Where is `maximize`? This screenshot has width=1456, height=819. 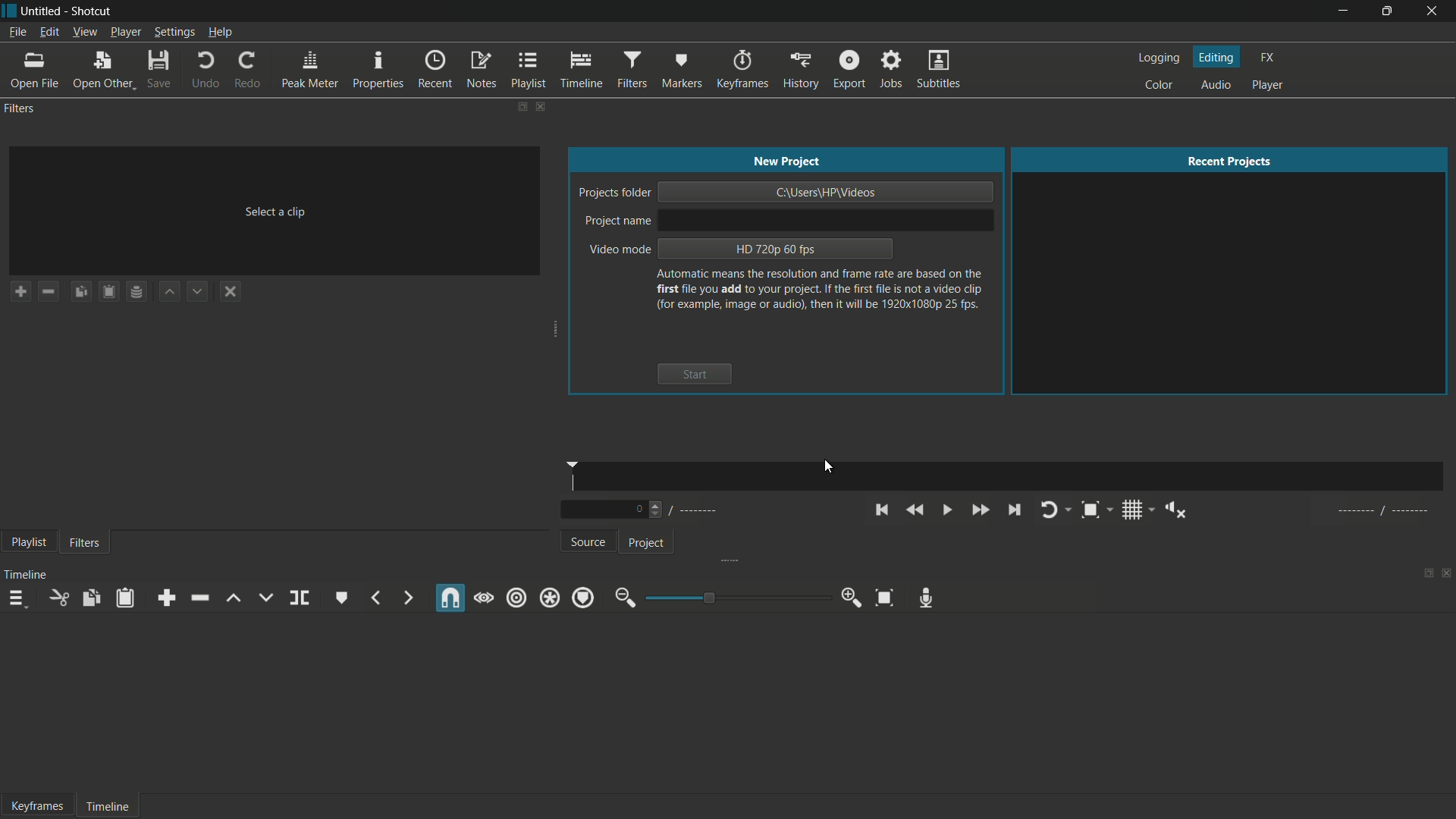 maximize is located at coordinates (1385, 11).